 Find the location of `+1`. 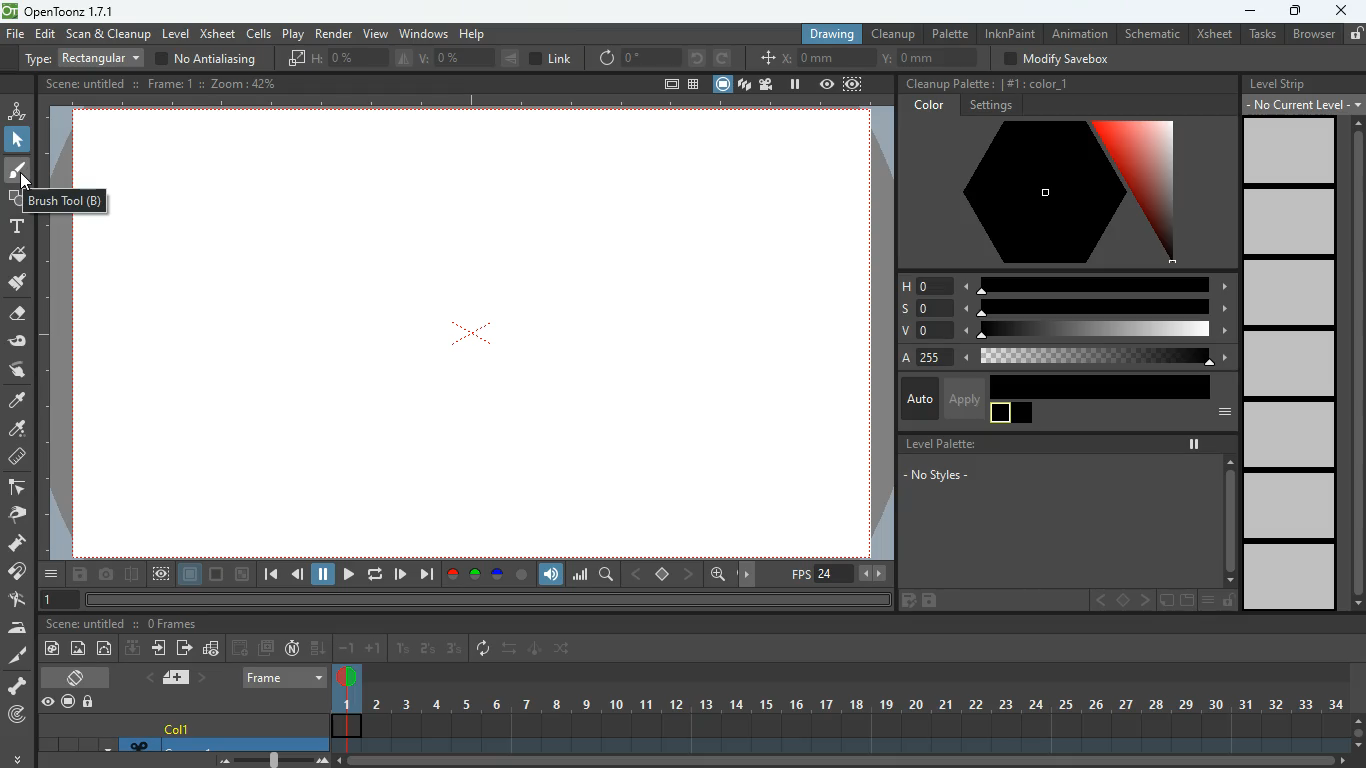

+1 is located at coordinates (374, 649).